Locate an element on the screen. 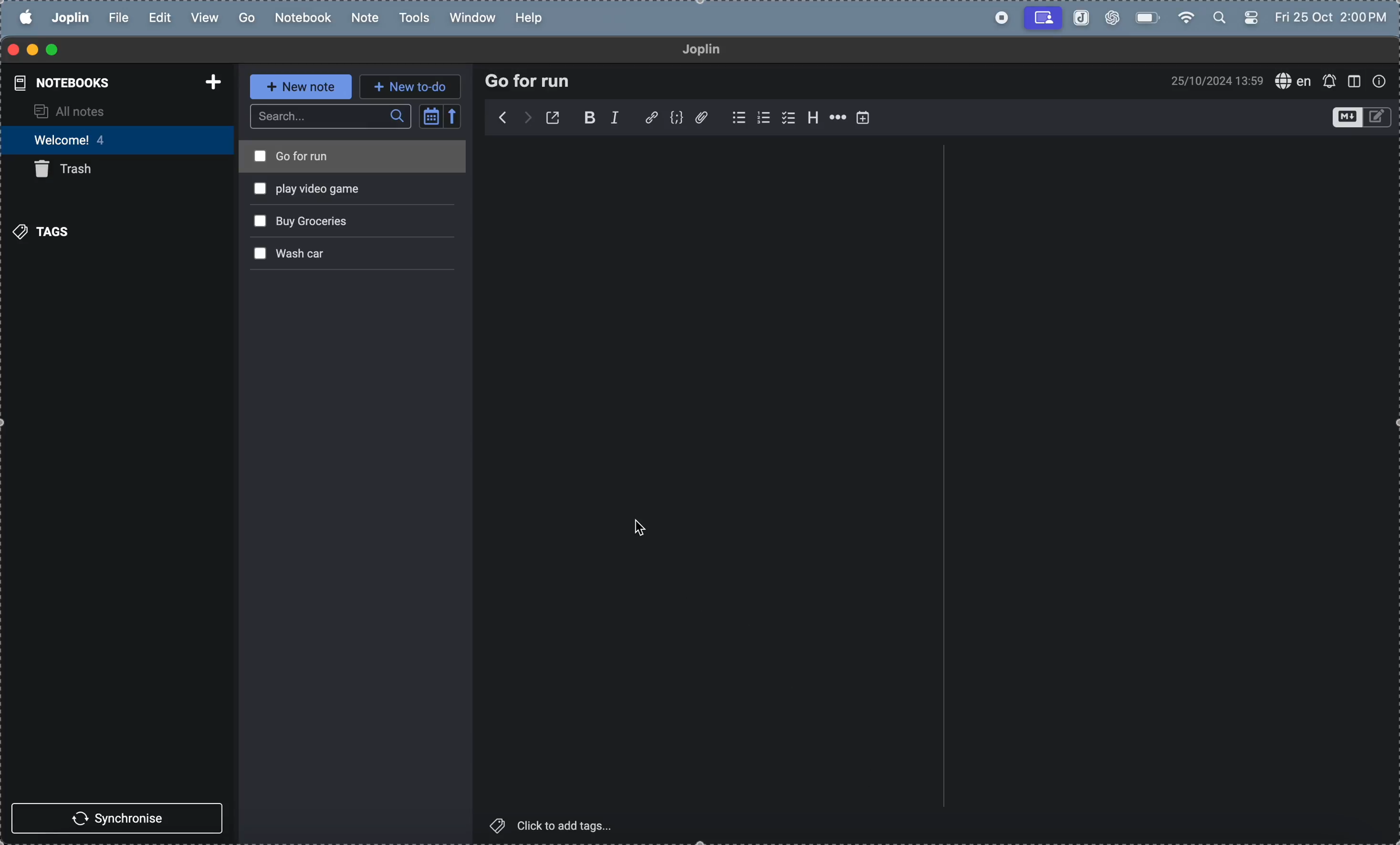  Wash car is located at coordinates (298, 254).